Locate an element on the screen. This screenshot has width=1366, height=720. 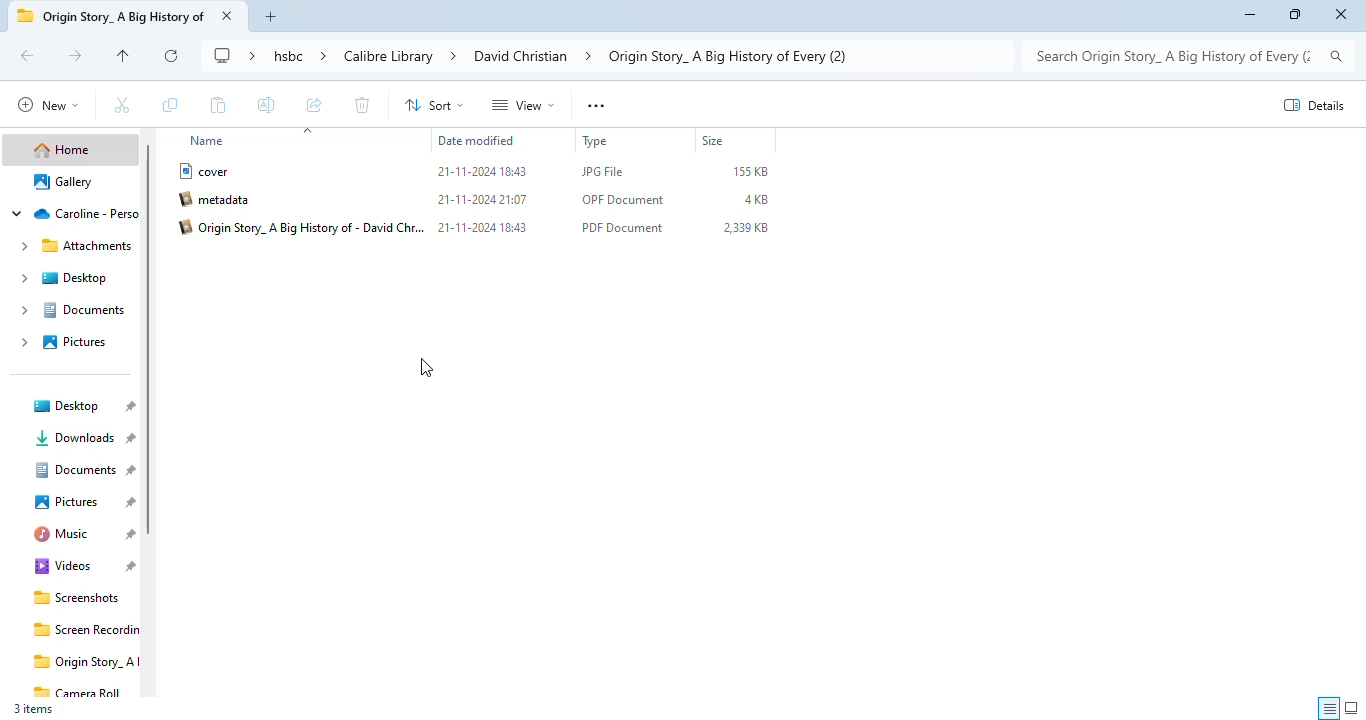
pictures is located at coordinates (84, 502).